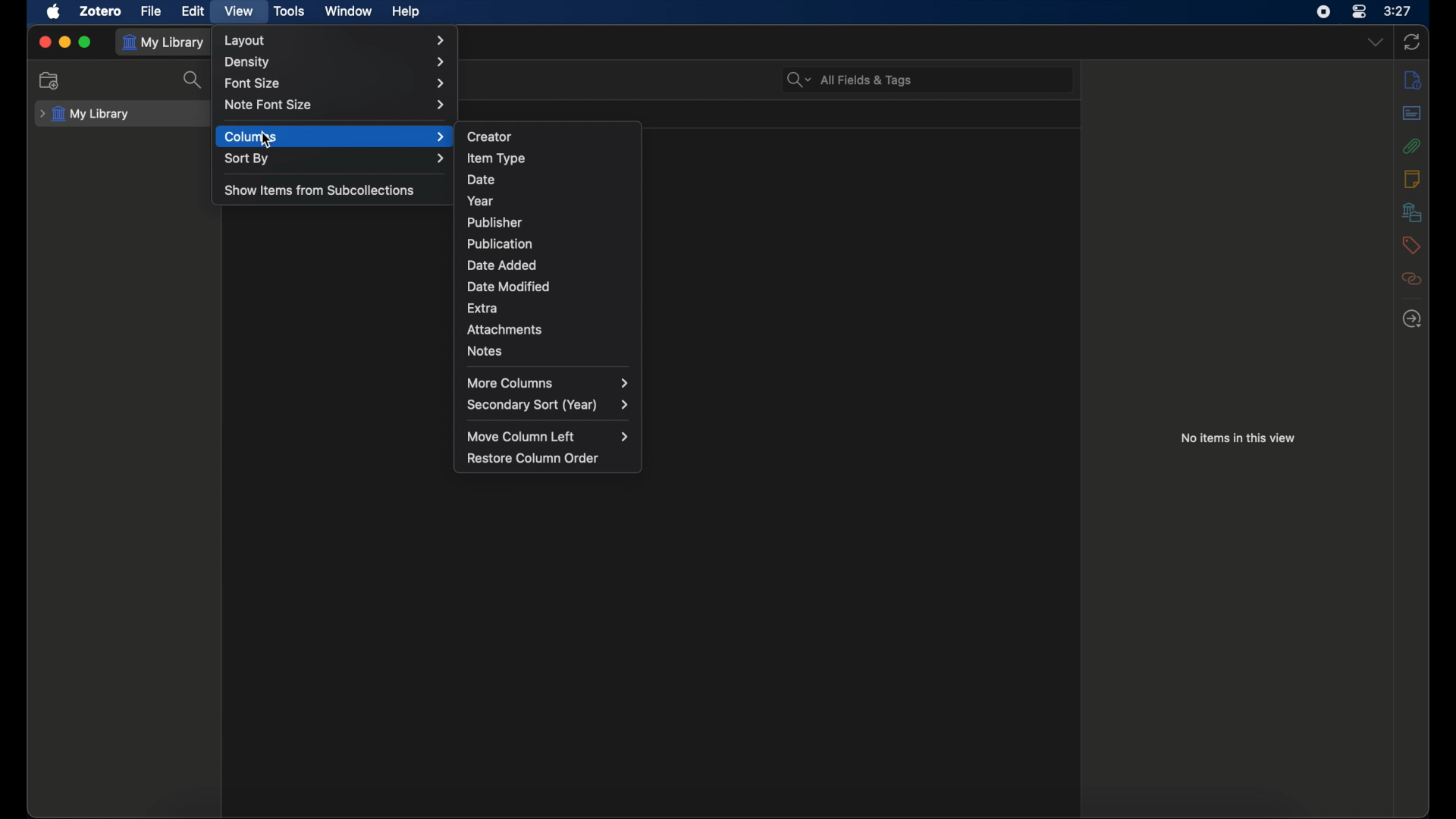 The width and height of the screenshot is (1456, 819). What do you see at coordinates (51, 81) in the screenshot?
I see `new collection` at bounding box center [51, 81].